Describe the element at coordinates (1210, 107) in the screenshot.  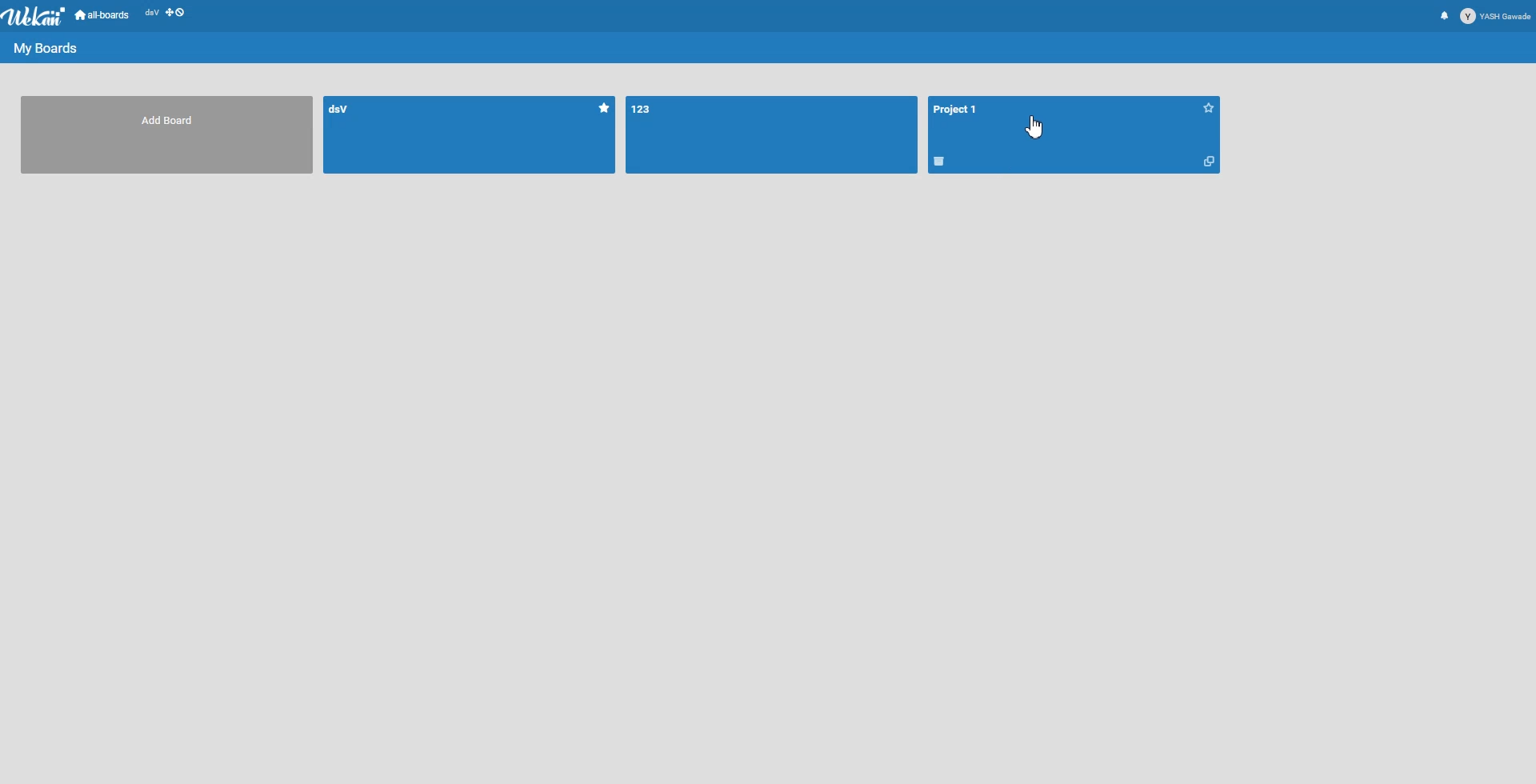
I see `Starred` at that location.